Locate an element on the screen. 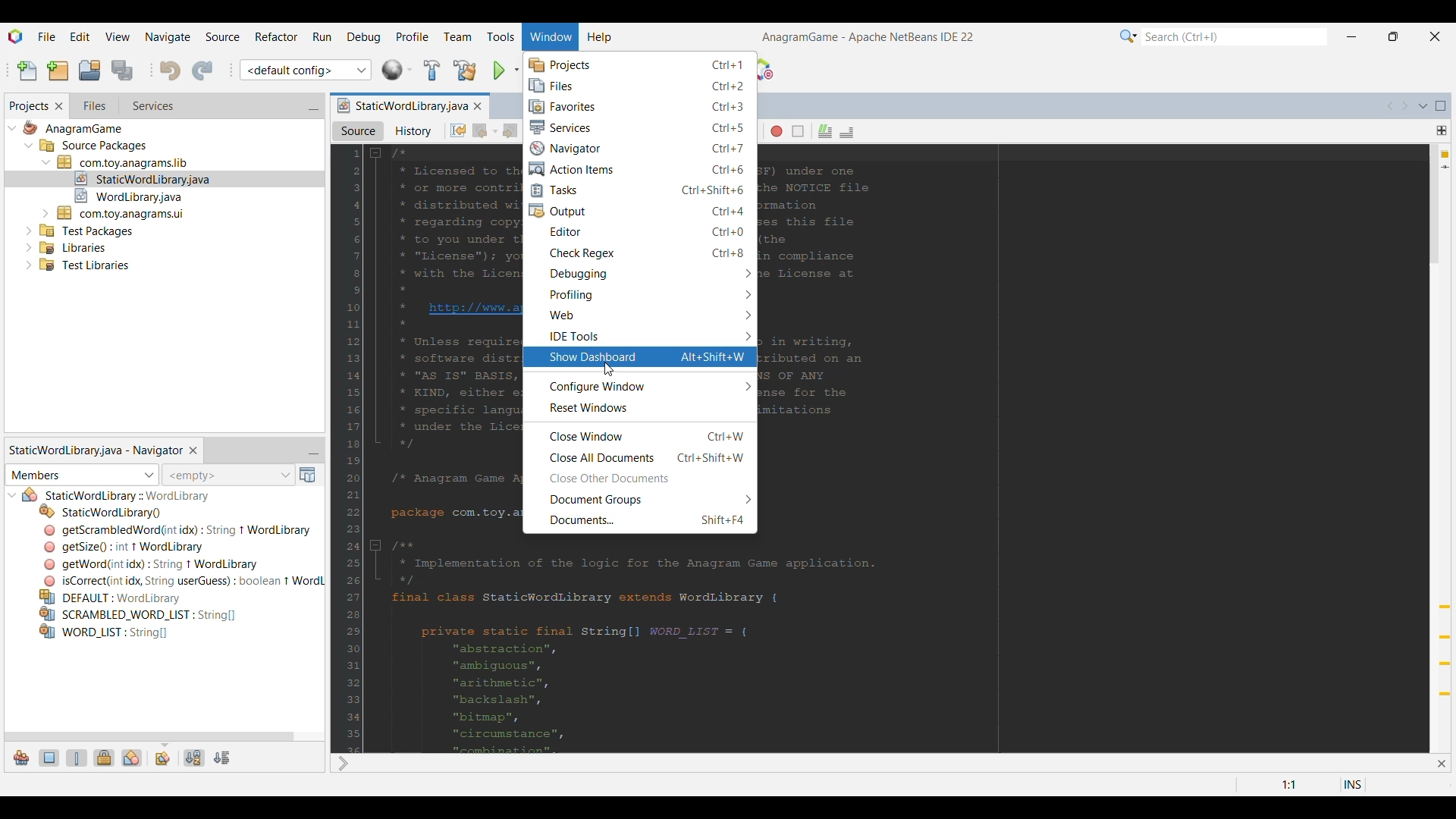  Static world library tab is located at coordinates (95, 450).